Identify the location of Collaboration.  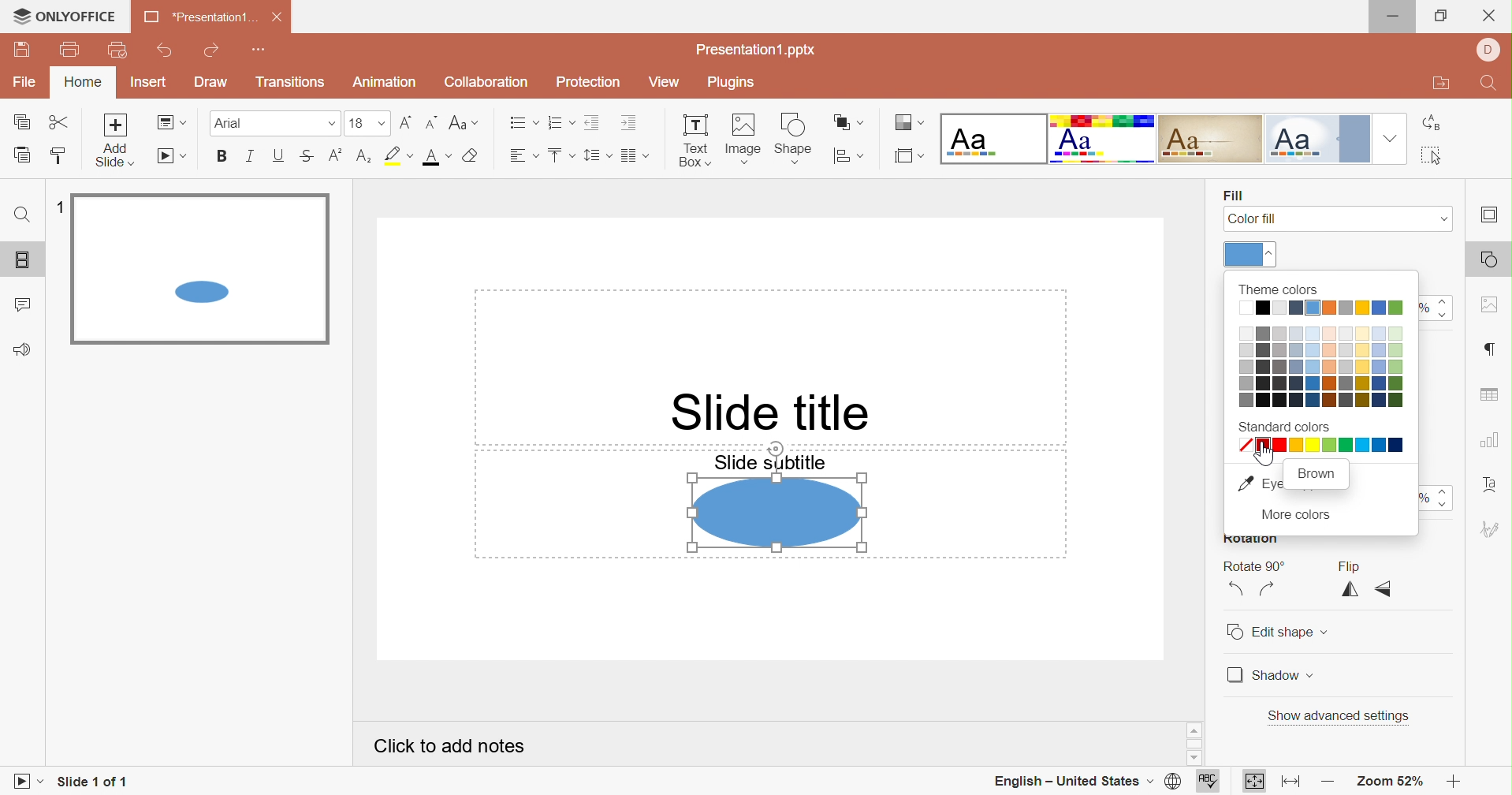
(486, 82).